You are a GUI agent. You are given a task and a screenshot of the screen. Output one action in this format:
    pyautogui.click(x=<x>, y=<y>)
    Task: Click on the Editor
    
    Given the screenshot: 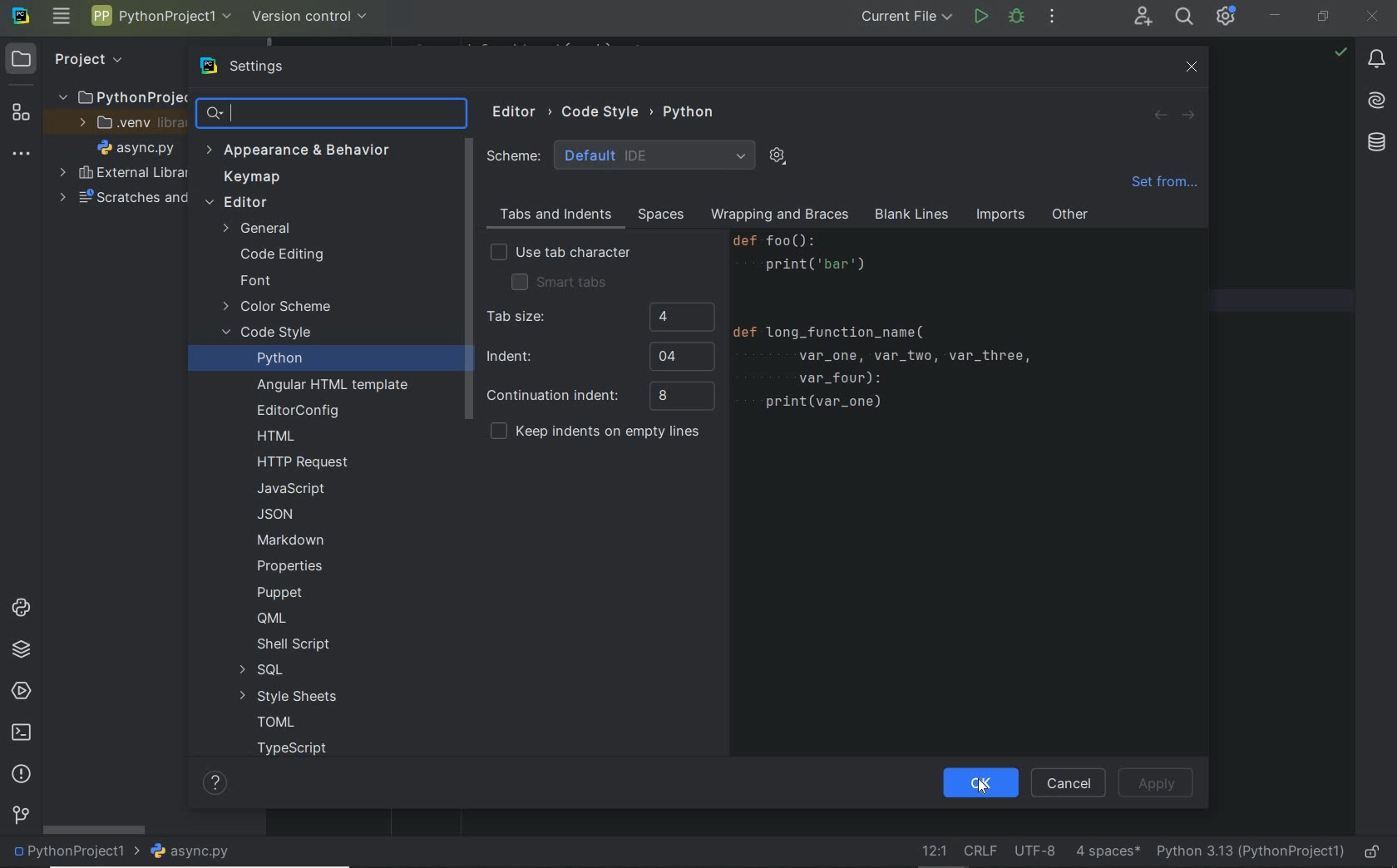 What is the action you would take?
    pyautogui.click(x=521, y=112)
    